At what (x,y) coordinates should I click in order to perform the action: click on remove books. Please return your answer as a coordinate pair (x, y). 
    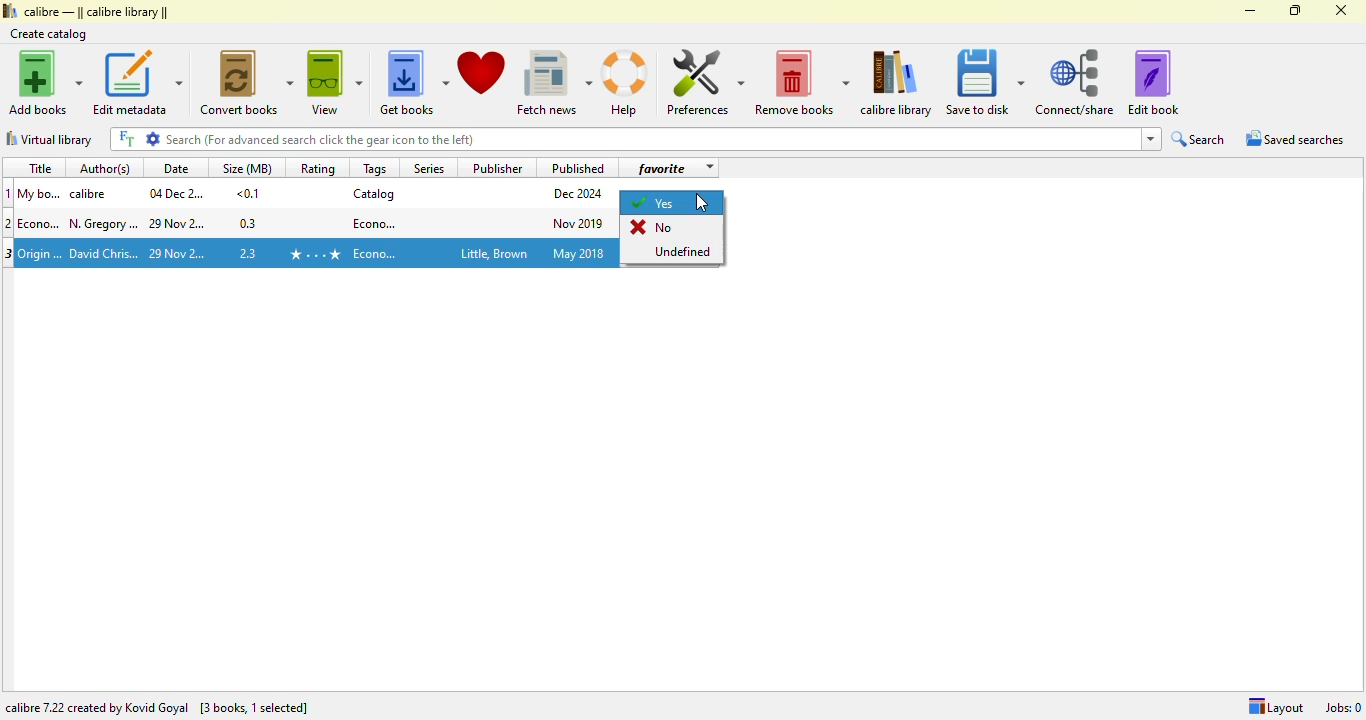
    Looking at the image, I should click on (802, 83).